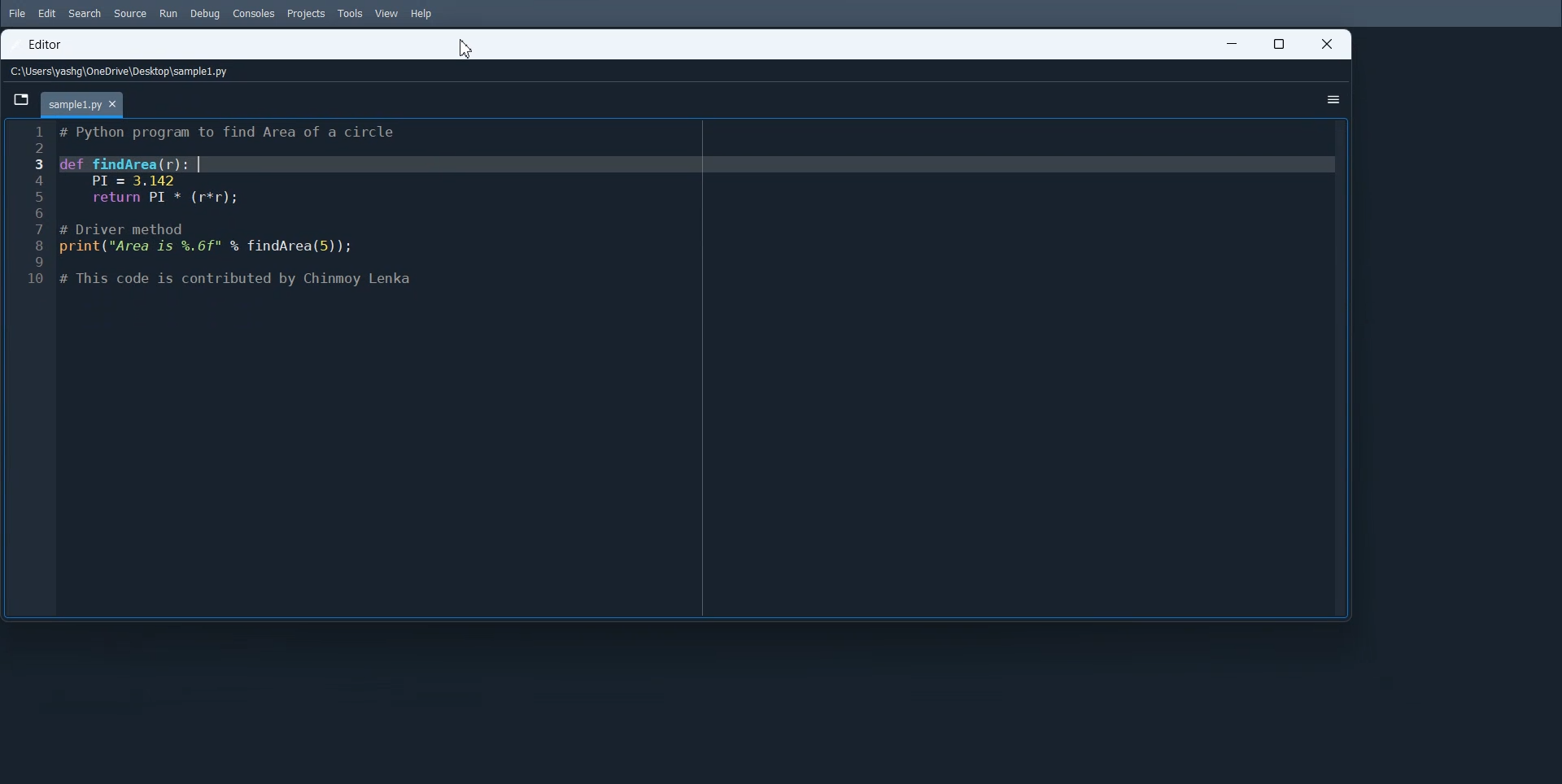  What do you see at coordinates (1323, 46) in the screenshot?
I see `Close` at bounding box center [1323, 46].